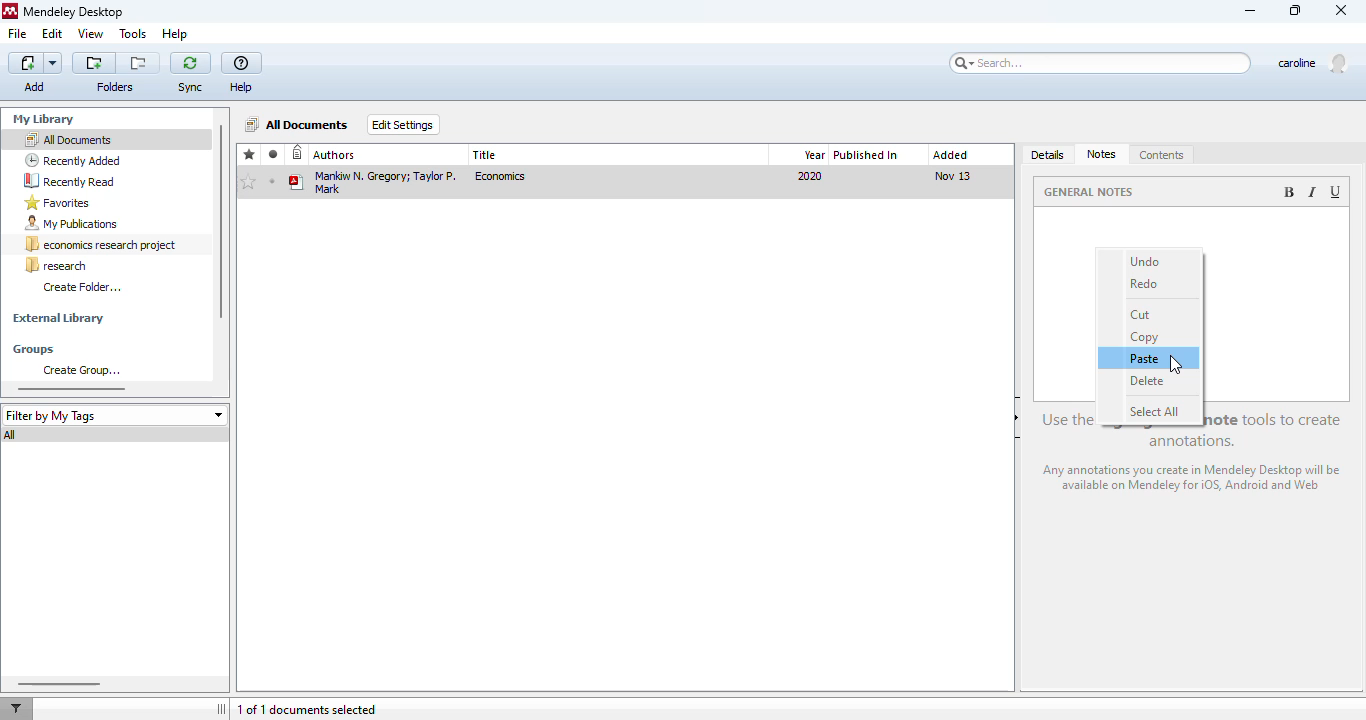 Image resolution: width=1366 pixels, height=720 pixels. Describe the element at coordinates (1141, 314) in the screenshot. I see `cut` at that location.